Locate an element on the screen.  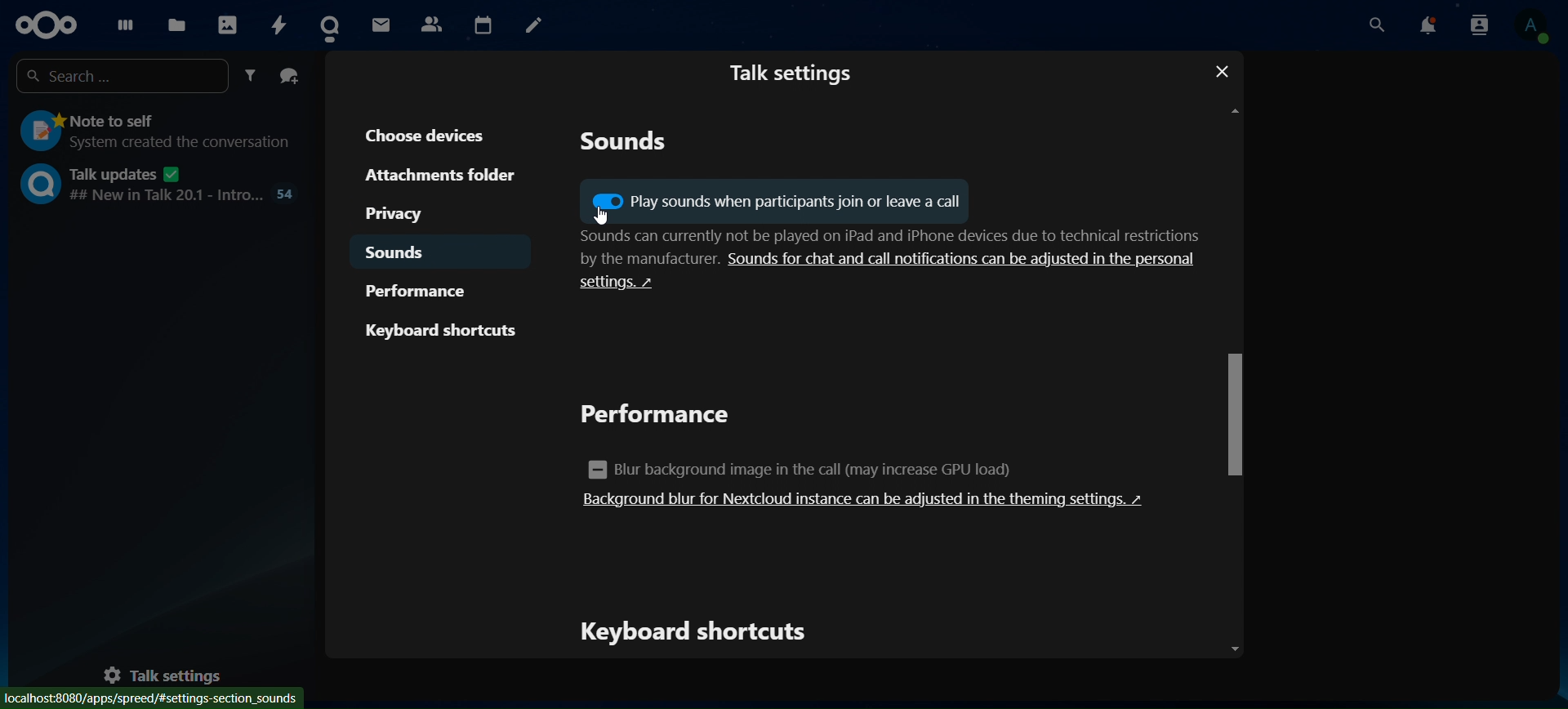
search is located at coordinates (1378, 25).